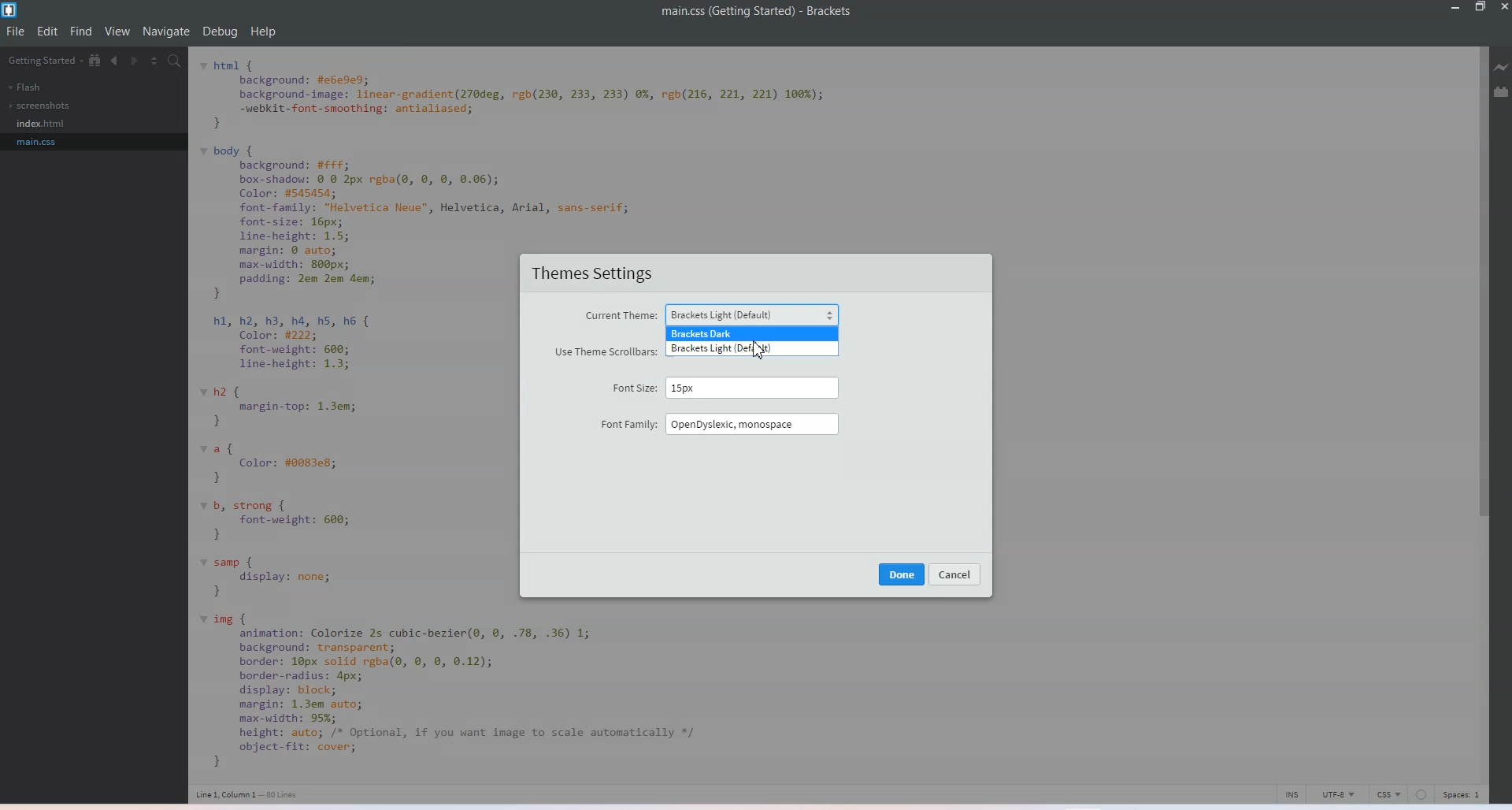  What do you see at coordinates (1502, 66) in the screenshot?
I see `Live Preview` at bounding box center [1502, 66].